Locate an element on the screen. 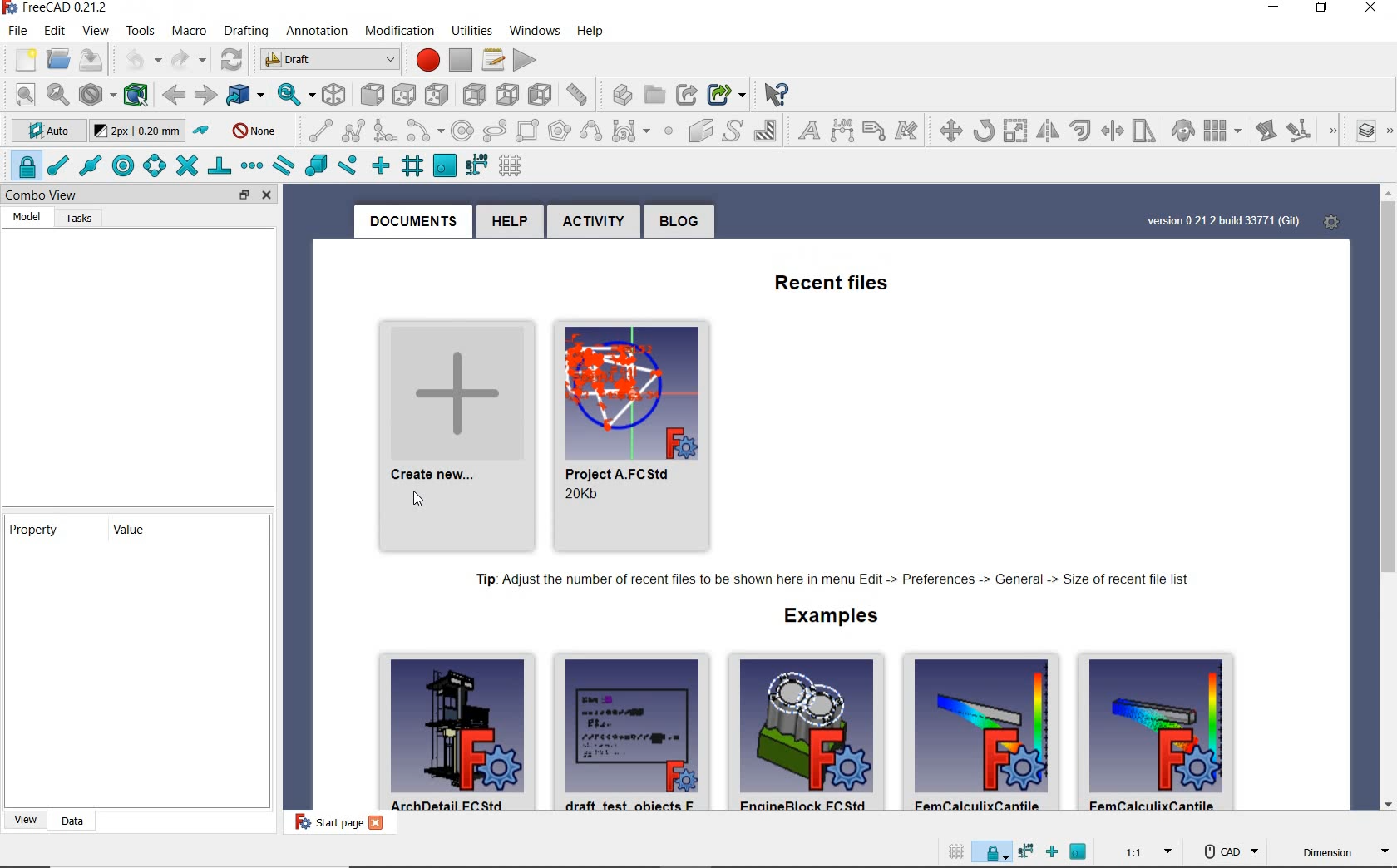 The width and height of the screenshot is (1397, 868). line is located at coordinates (314, 132).